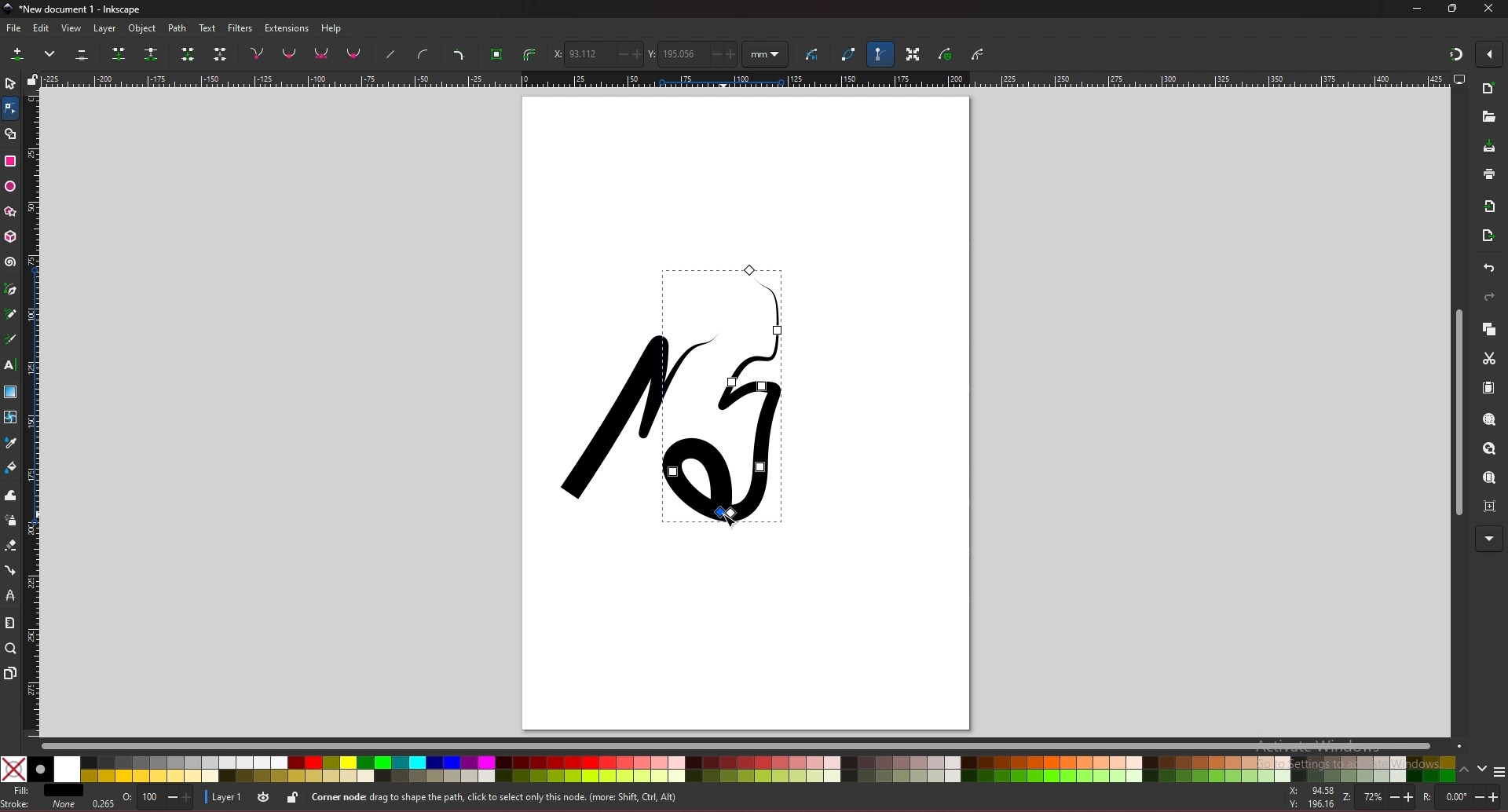  Describe the element at coordinates (390, 55) in the screenshot. I see `straighten line` at that location.